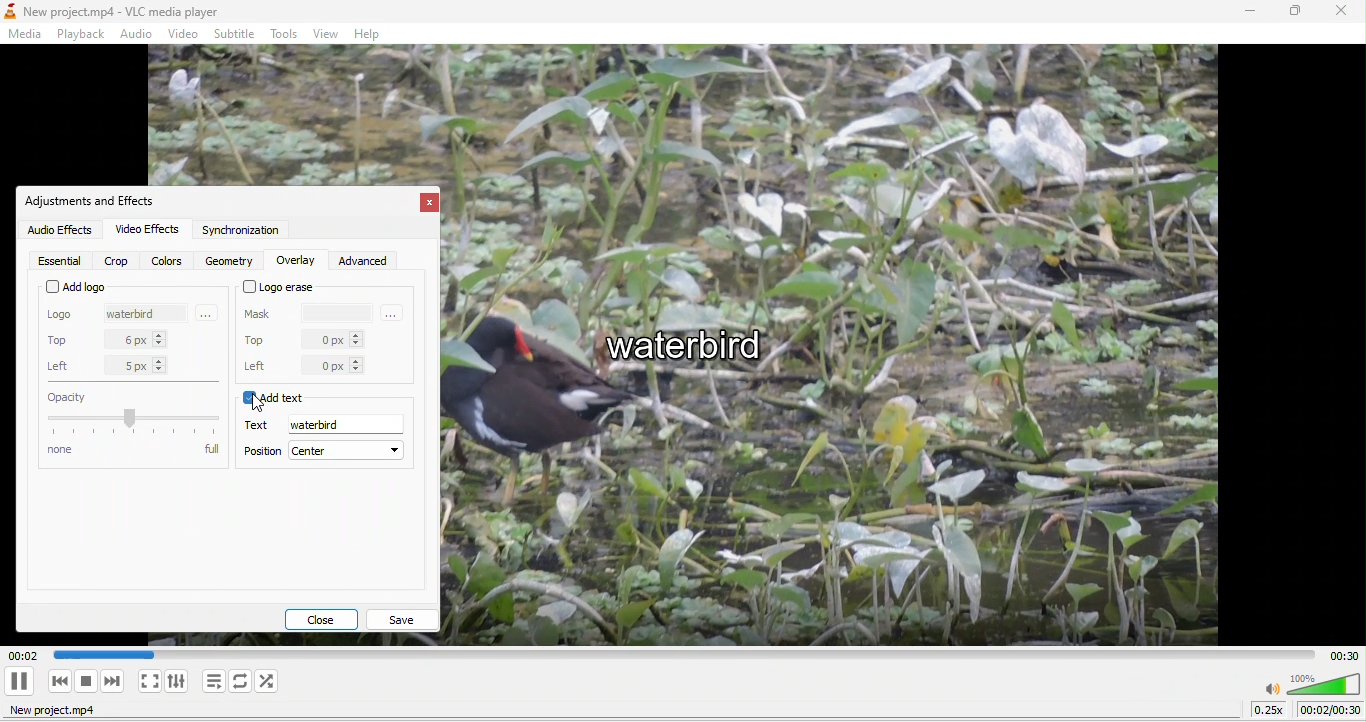 The height and width of the screenshot is (722, 1366). I want to click on advanced, so click(363, 261).